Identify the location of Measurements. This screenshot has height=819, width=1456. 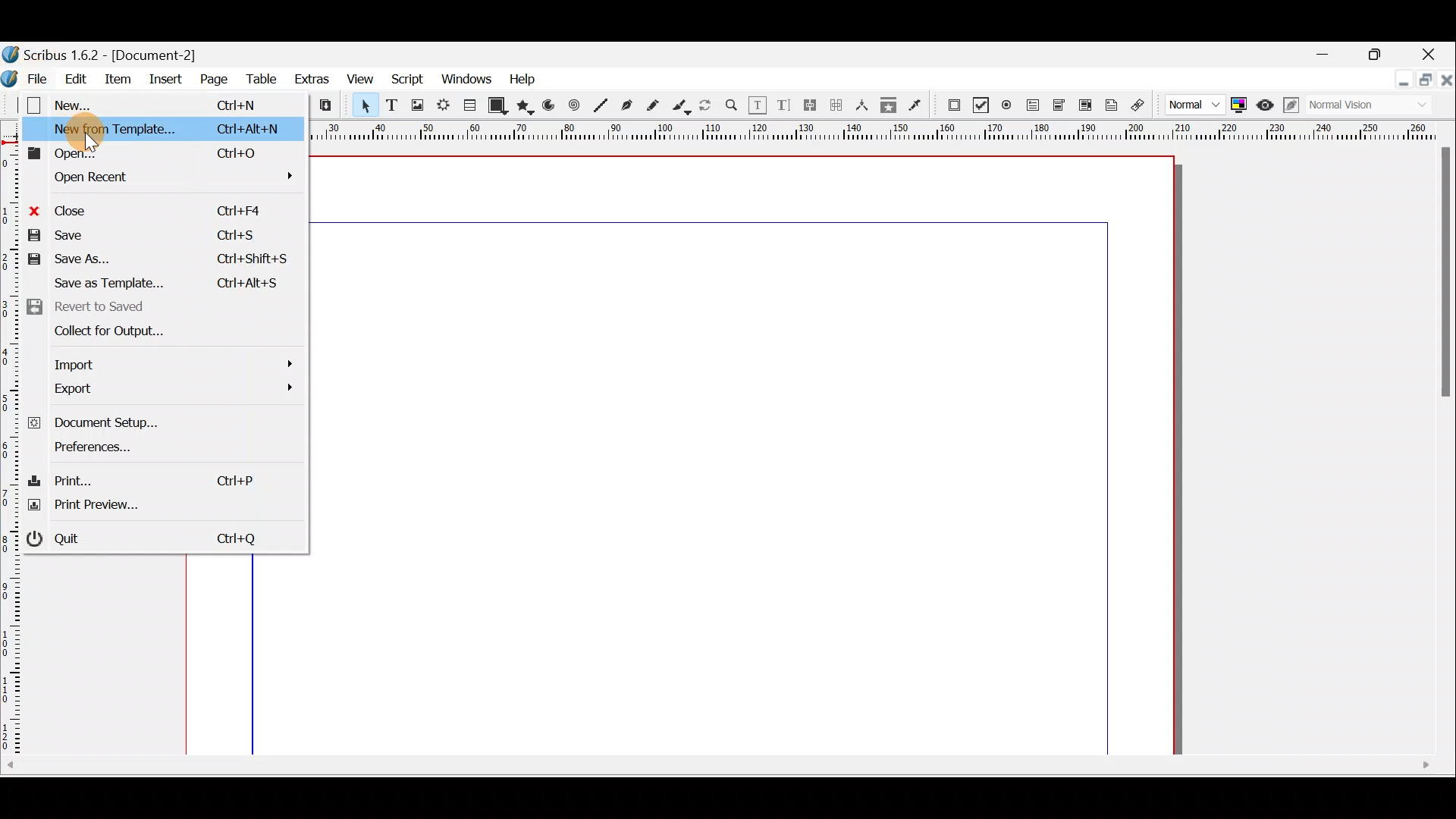
(863, 105).